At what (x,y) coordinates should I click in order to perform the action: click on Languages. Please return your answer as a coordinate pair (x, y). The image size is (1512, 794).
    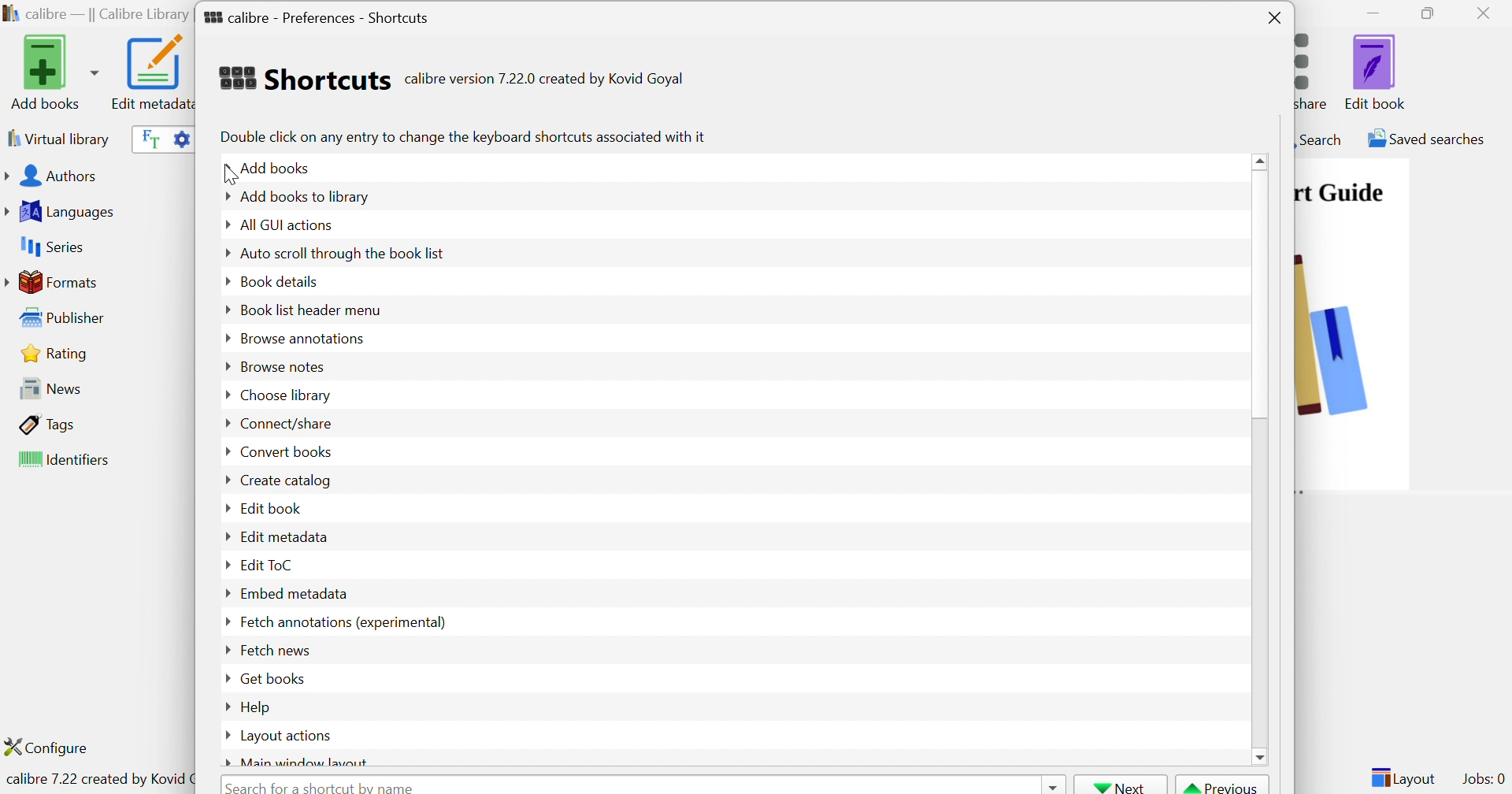
    Looking at the image, I should click on (62, 212).